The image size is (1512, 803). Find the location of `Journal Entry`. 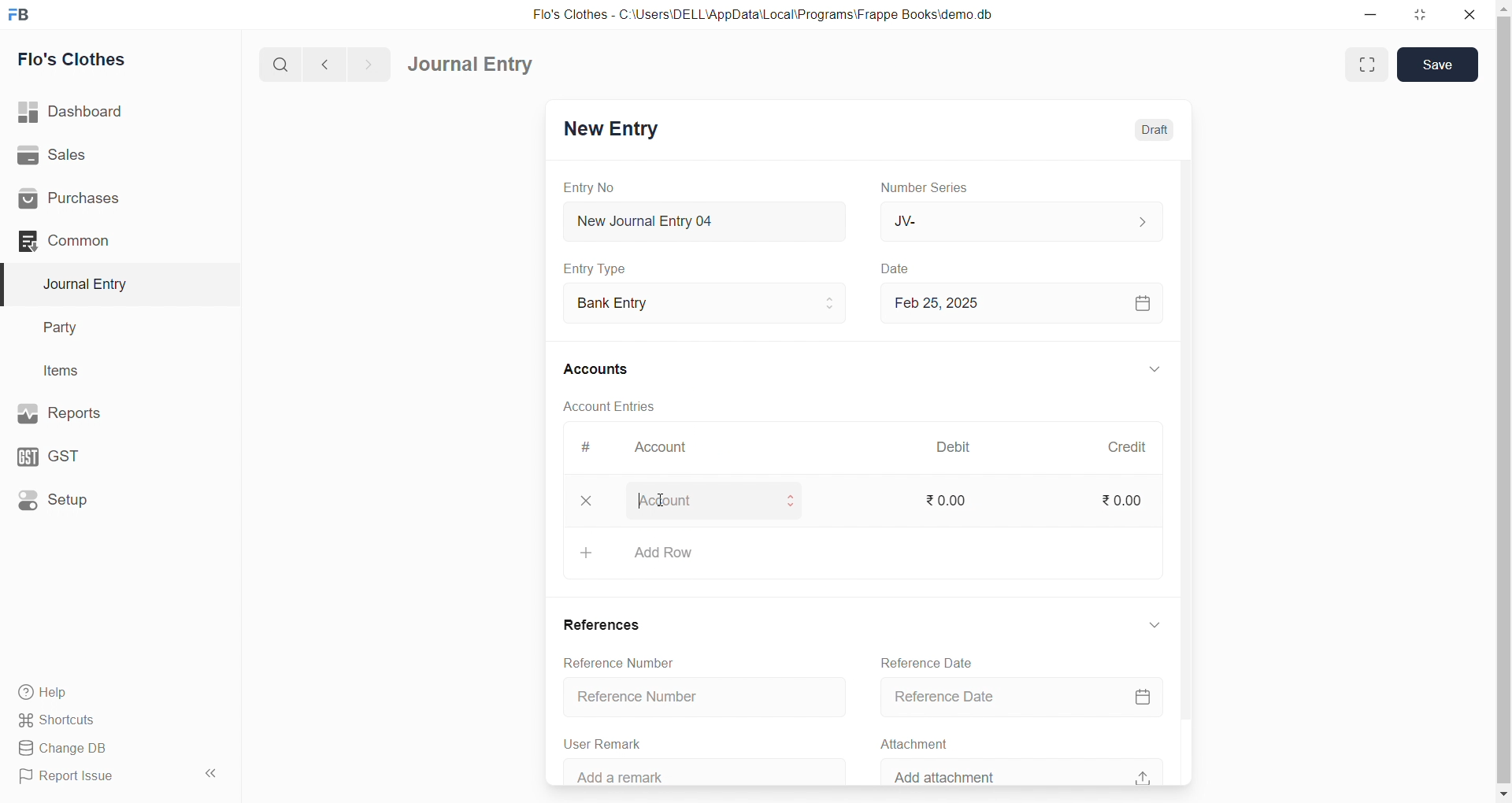

Journal Entry is located at coordinates (476, 65).